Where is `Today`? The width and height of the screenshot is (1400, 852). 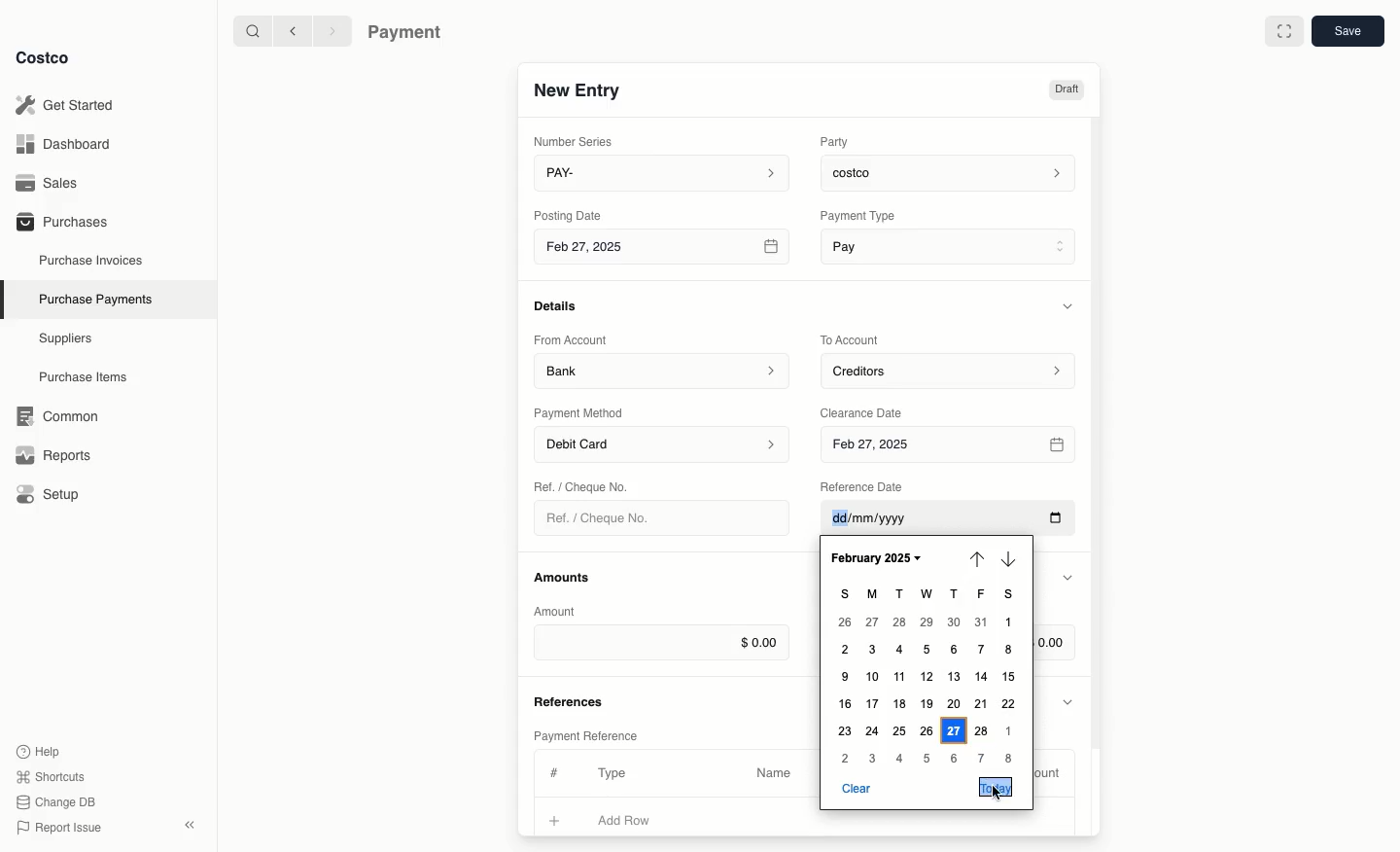 Today is located at coordinates (996, 787).